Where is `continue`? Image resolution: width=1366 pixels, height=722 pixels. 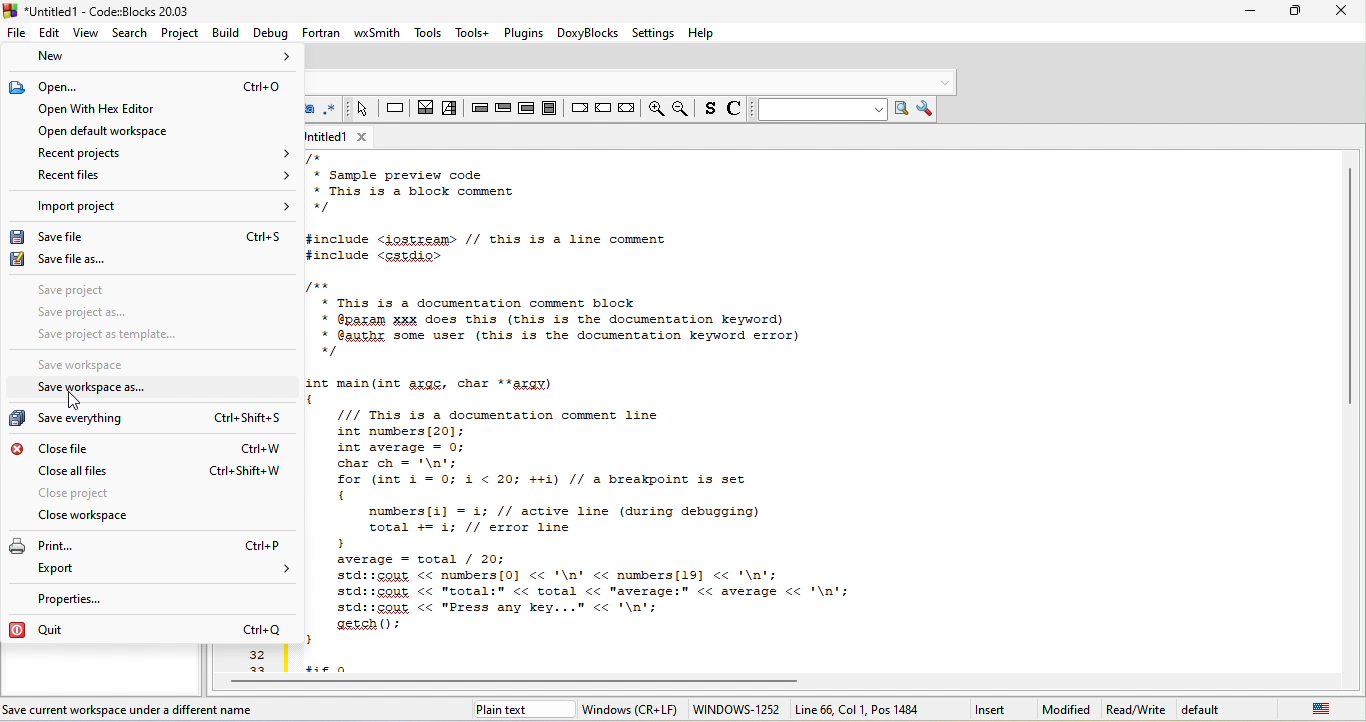
continue is located at coordinates (602, 106).